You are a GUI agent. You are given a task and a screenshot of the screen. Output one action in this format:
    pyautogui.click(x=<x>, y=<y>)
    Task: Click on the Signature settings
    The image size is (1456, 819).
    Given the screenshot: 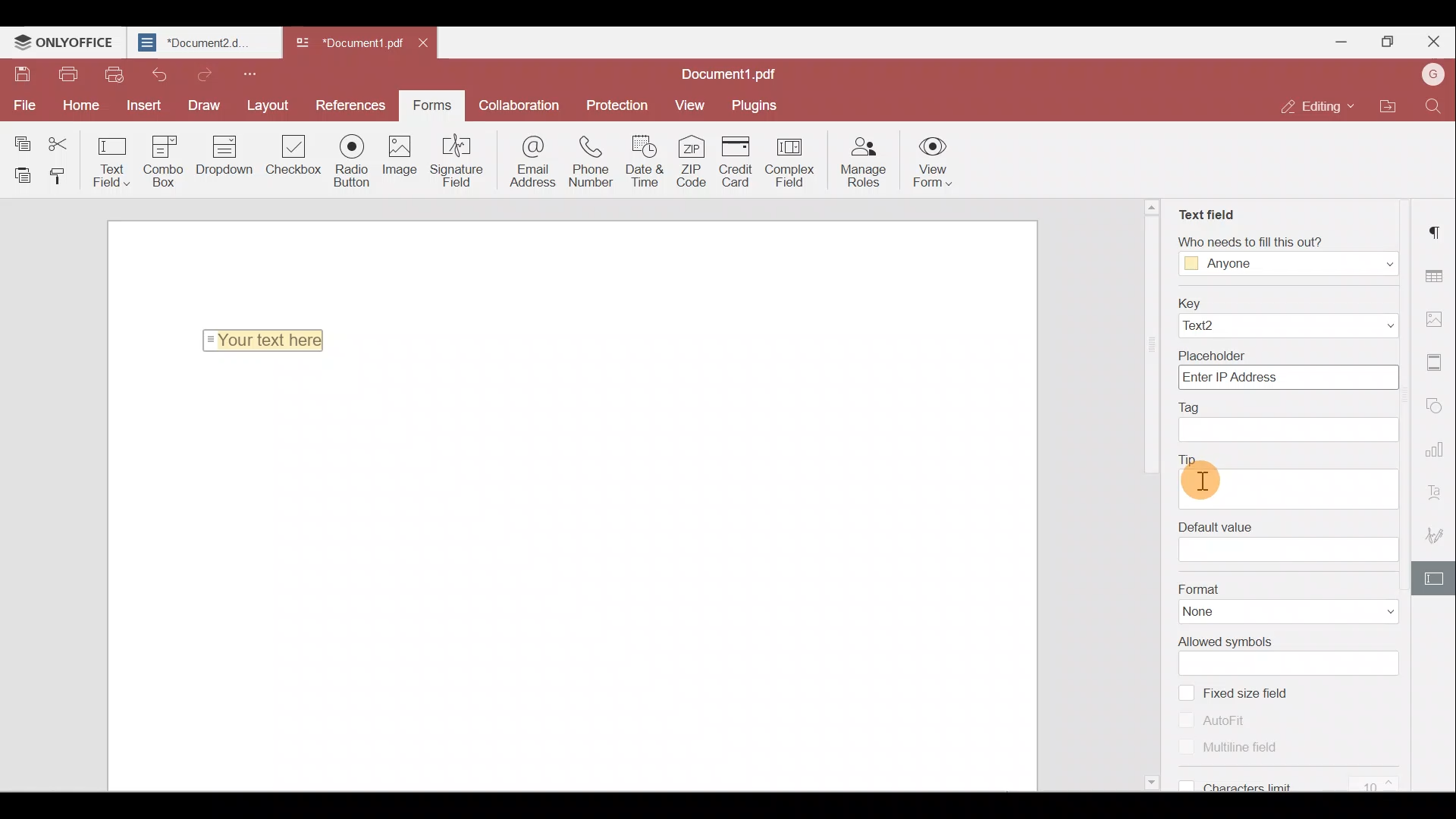 What is the action you would take?
    pyautogui.click(x=1438, y=532)
    